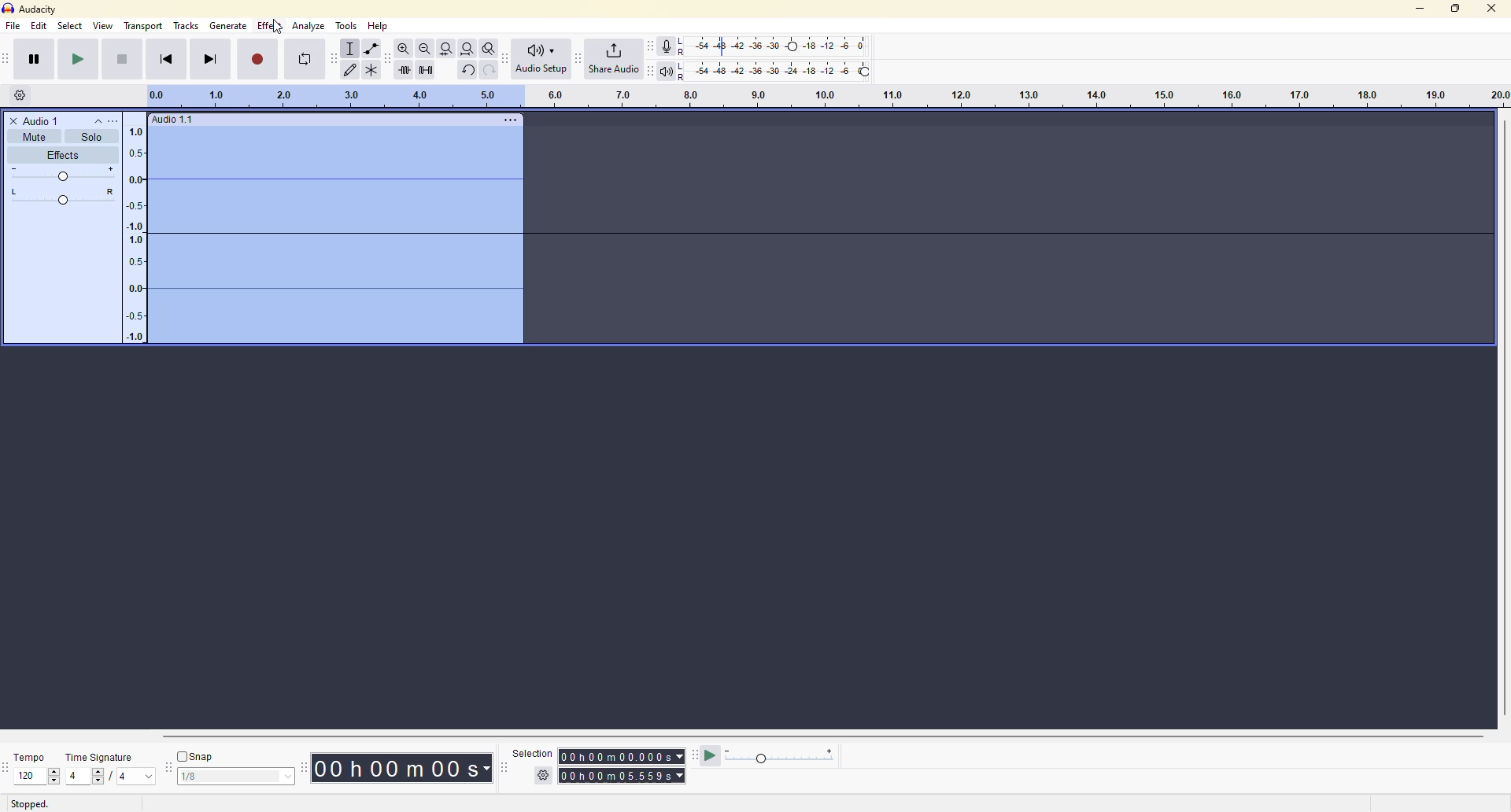 The image size is (1511, 812). Describe the element at coordinates (28, 775) in the screenshot. I see `120` at that location.